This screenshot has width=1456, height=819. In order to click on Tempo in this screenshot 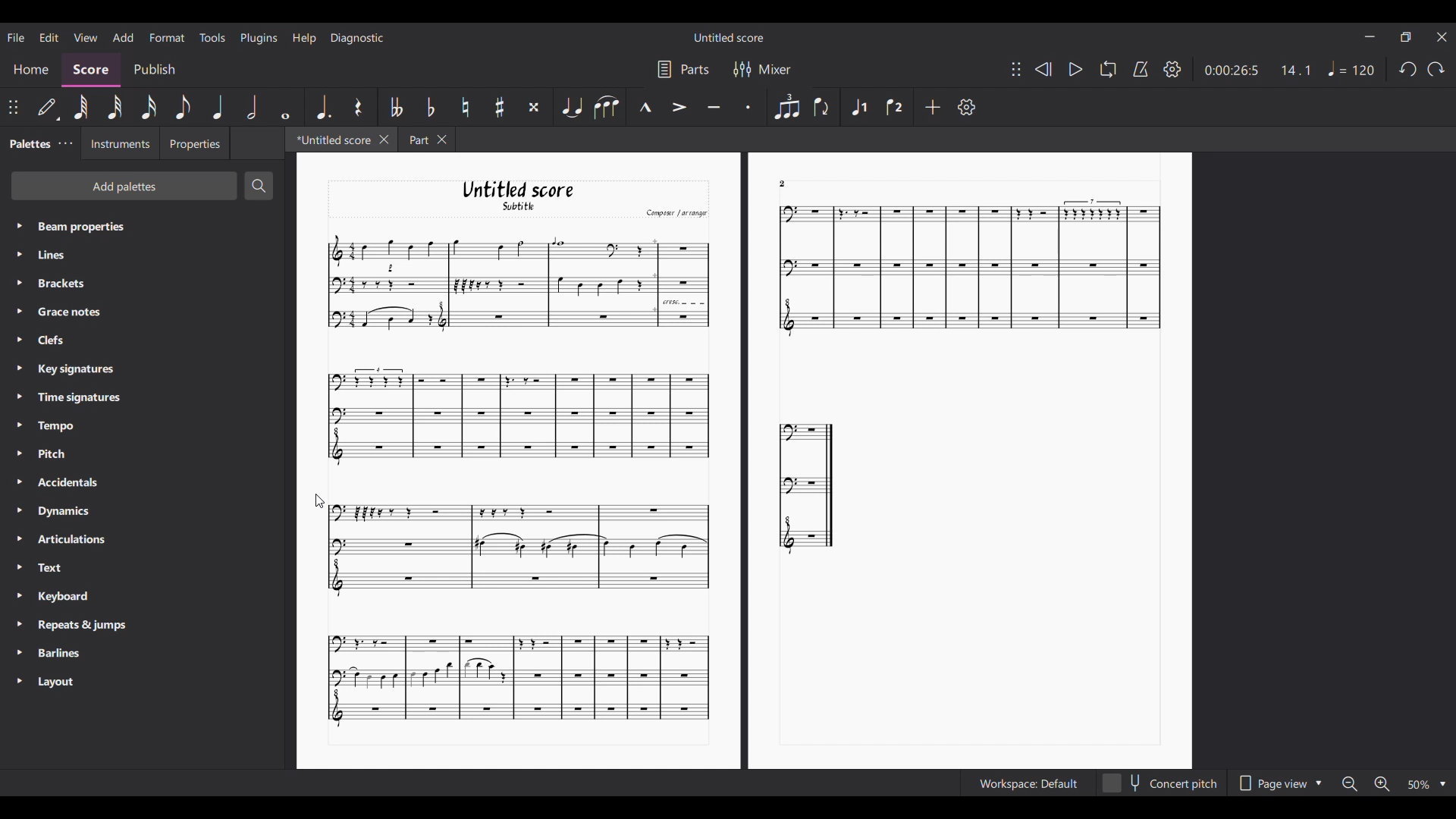, I will do `click(1352, 68)`.